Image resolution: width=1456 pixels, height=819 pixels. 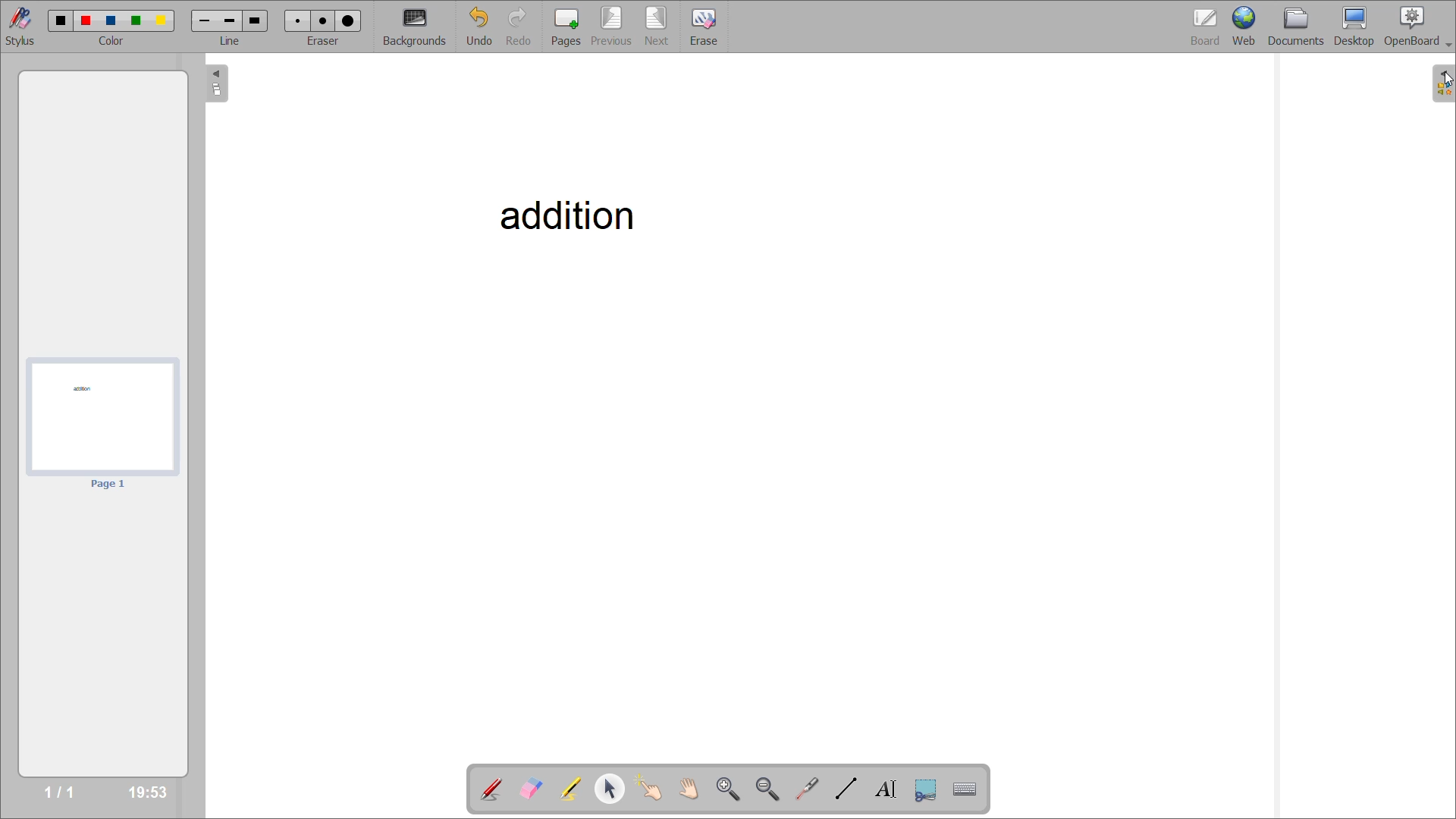 What do you see at coordinates (1247, 24) in the screenshot?
I see `web` at bounding box center [1247, 24].